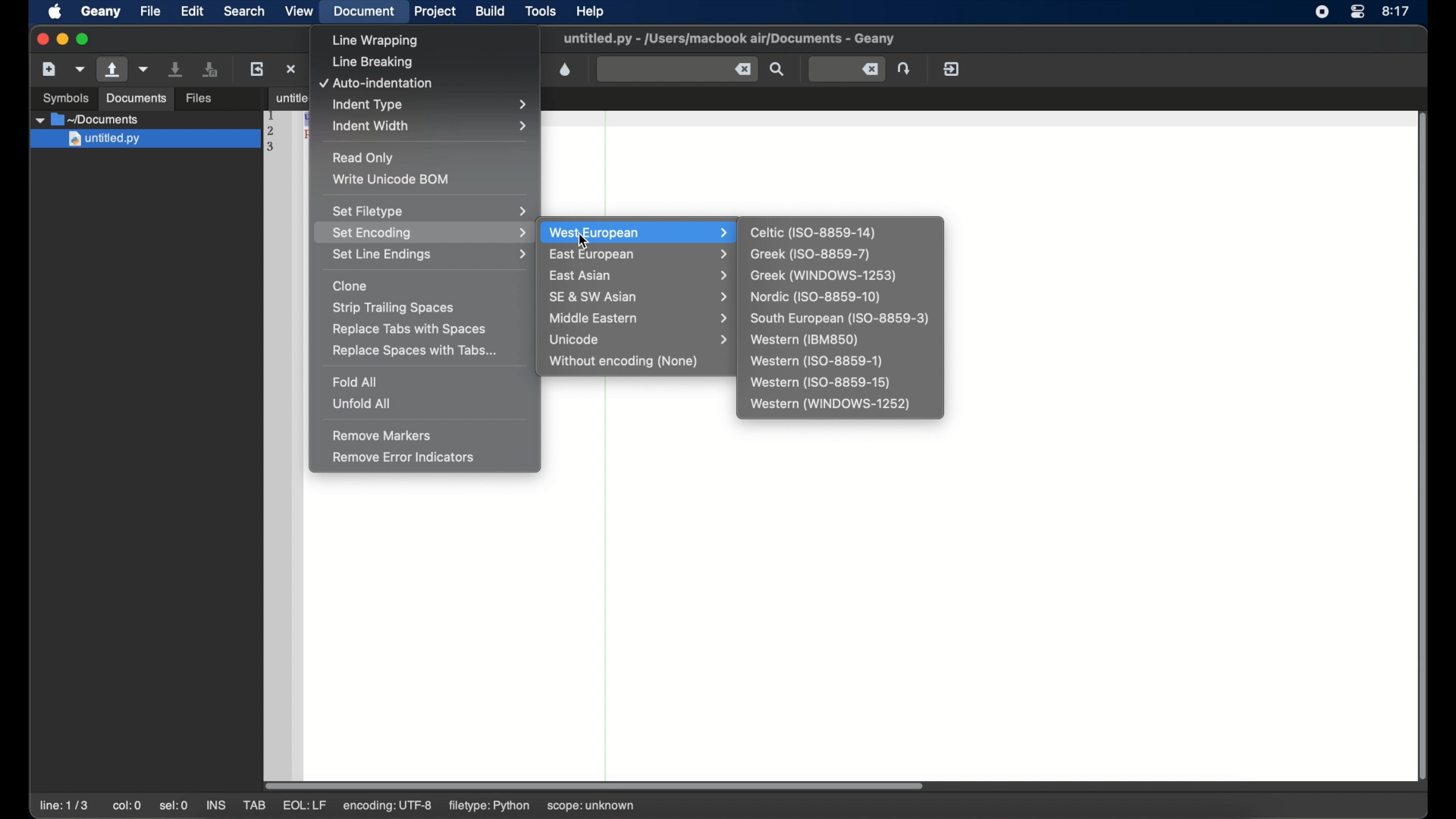  What do you see at coordinates (191, 11) in the screenshot?
I see `edit` at bounding box center [191, 11].